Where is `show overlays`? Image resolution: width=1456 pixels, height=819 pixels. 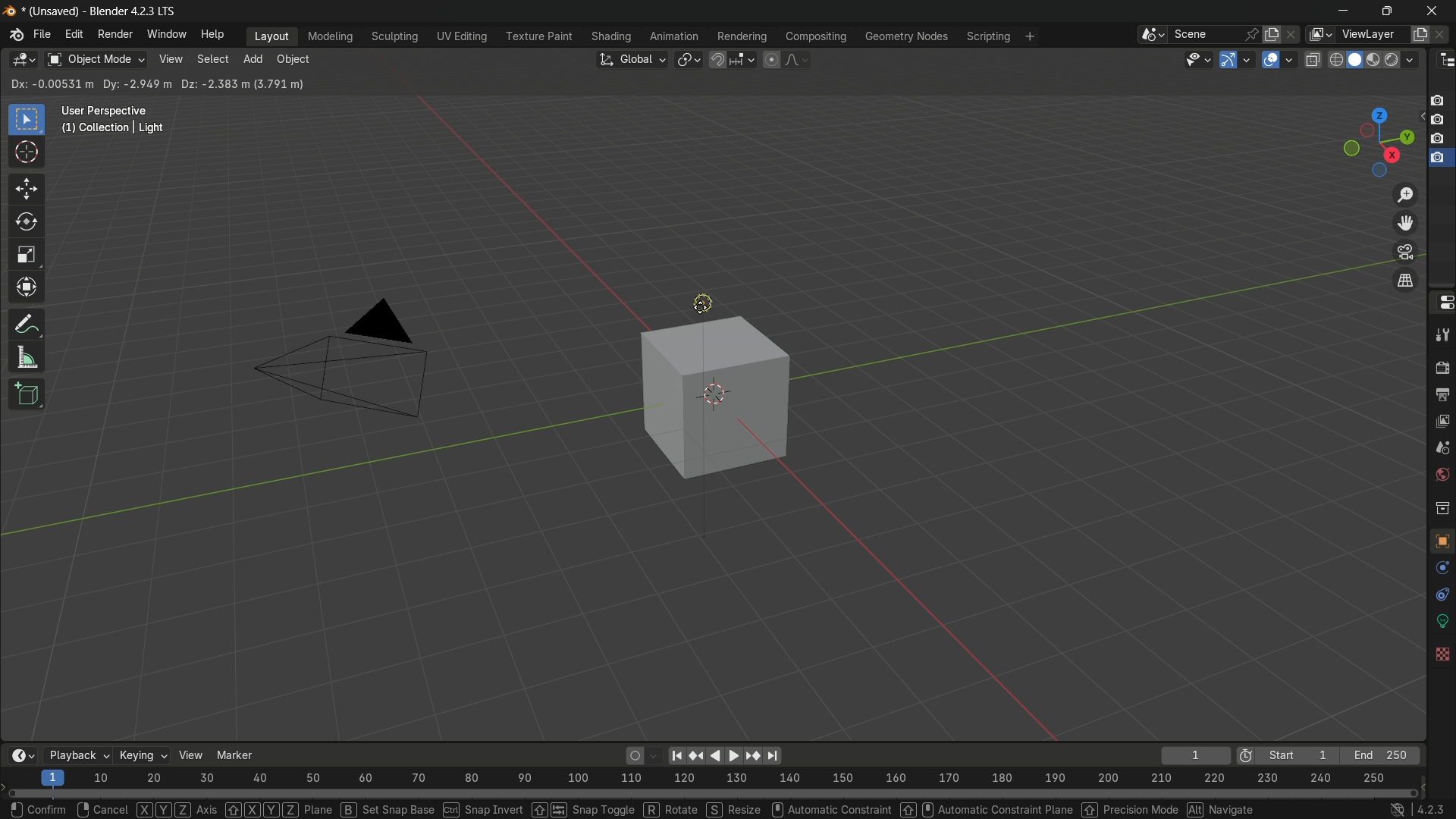
show overlays is located at coordinates (1269, 59).